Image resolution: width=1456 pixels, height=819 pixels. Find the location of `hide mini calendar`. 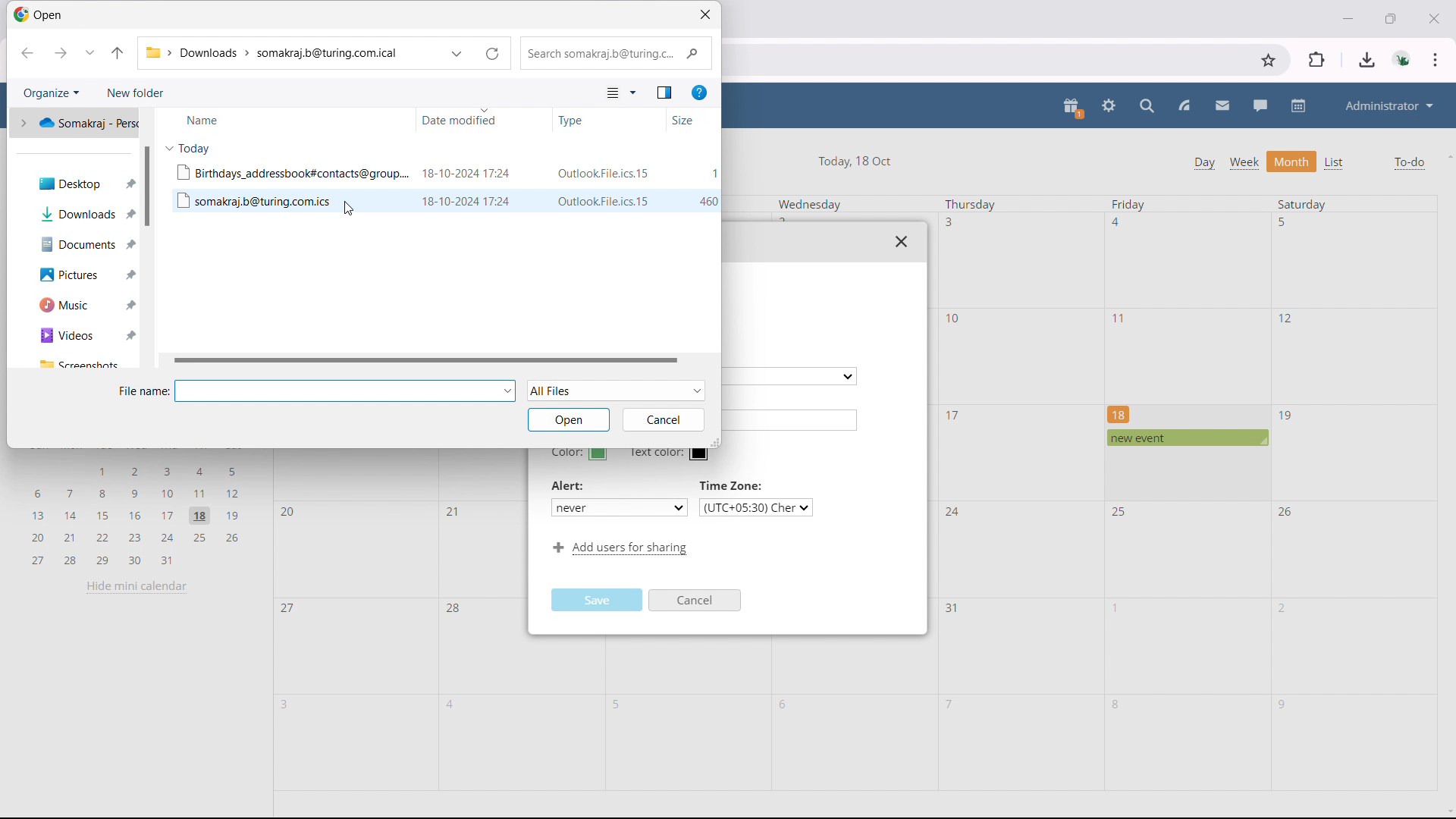

hide mini calendar is located at coordinates (136, 586).